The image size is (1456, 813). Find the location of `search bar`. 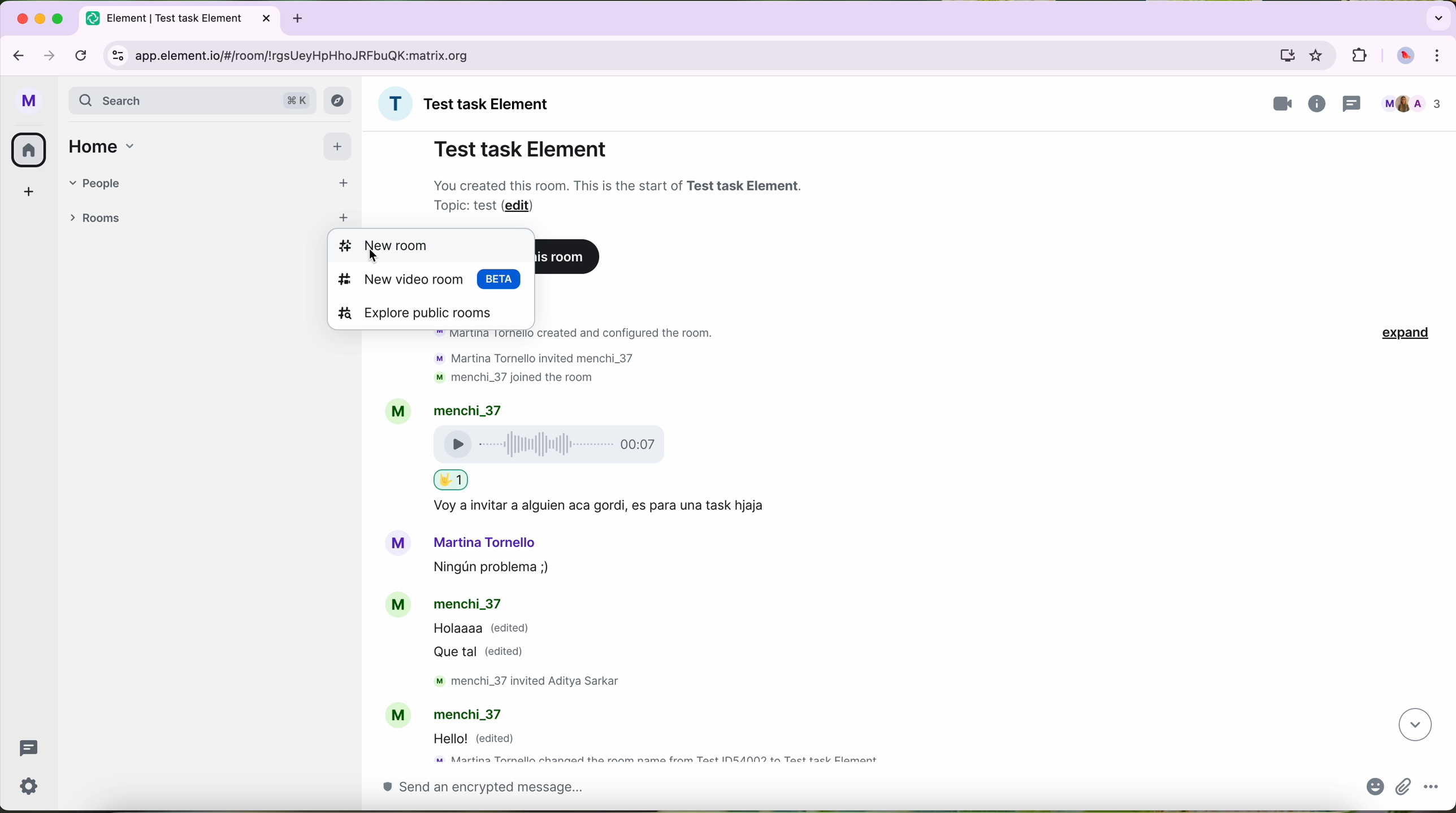

search bar is located at coordinates (193, 102).